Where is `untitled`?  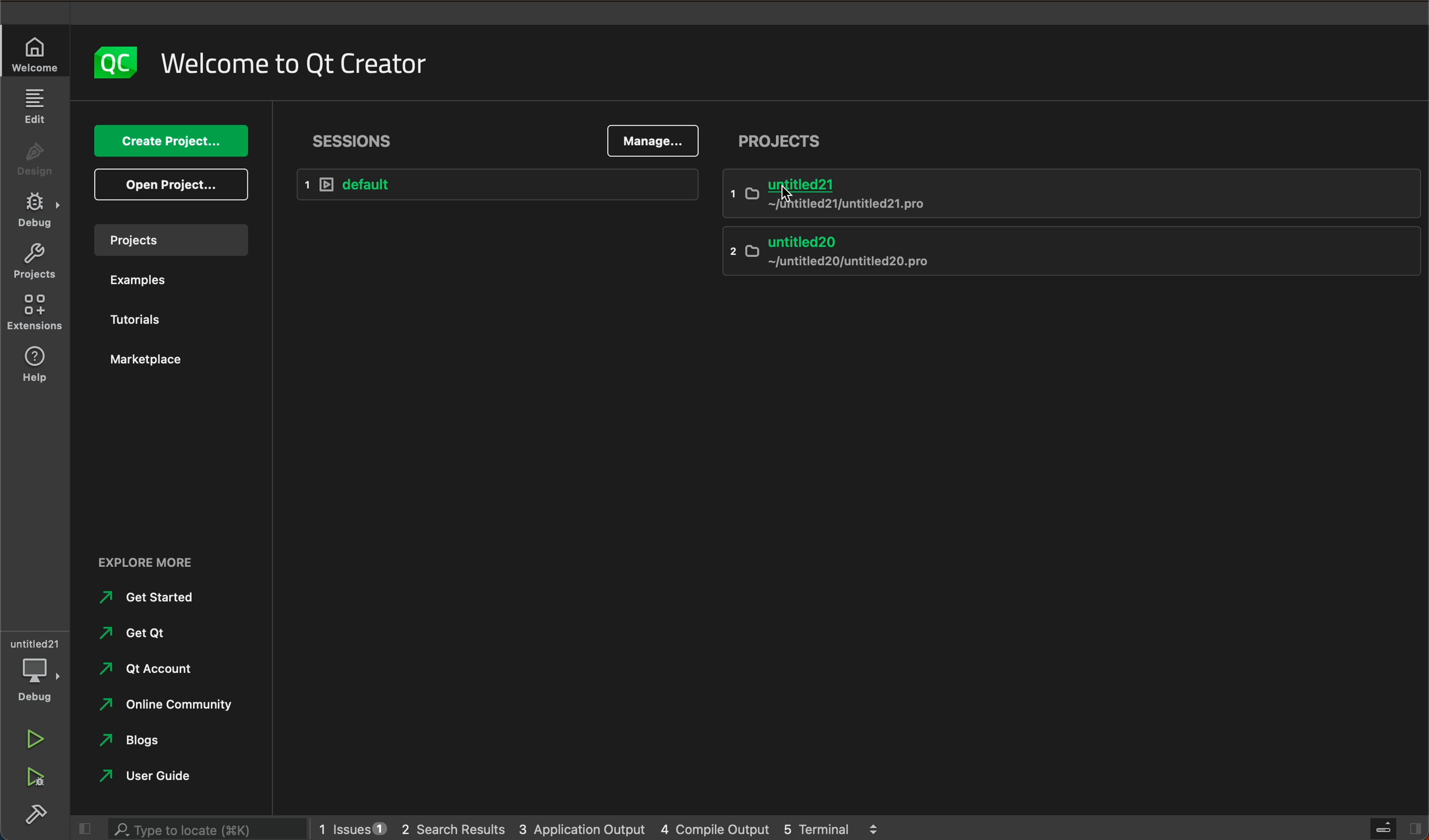
untitled is located at coordinates (1067, 255).